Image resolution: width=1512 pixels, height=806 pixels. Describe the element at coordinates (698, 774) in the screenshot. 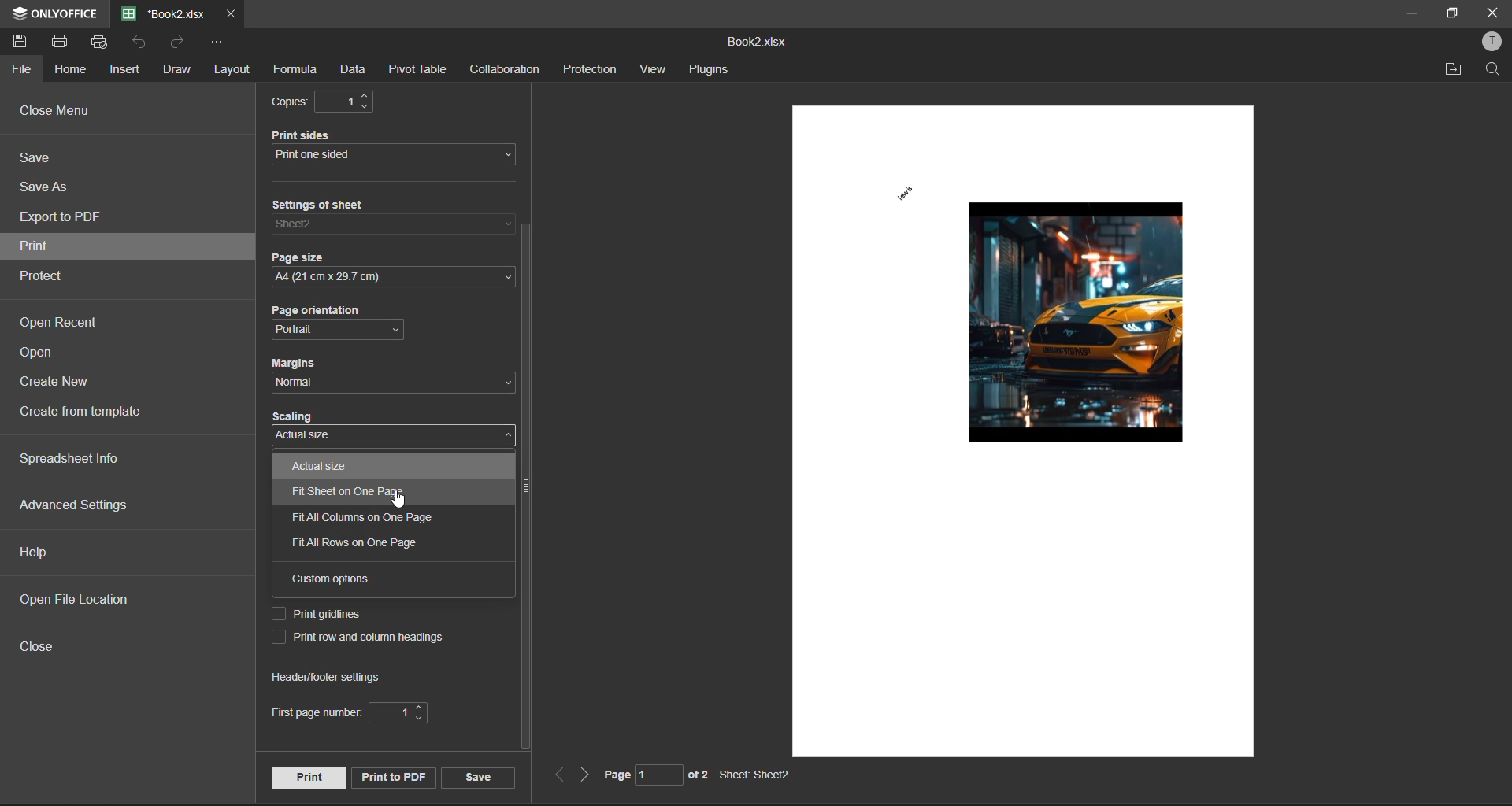

I see `out of page ` at that location.